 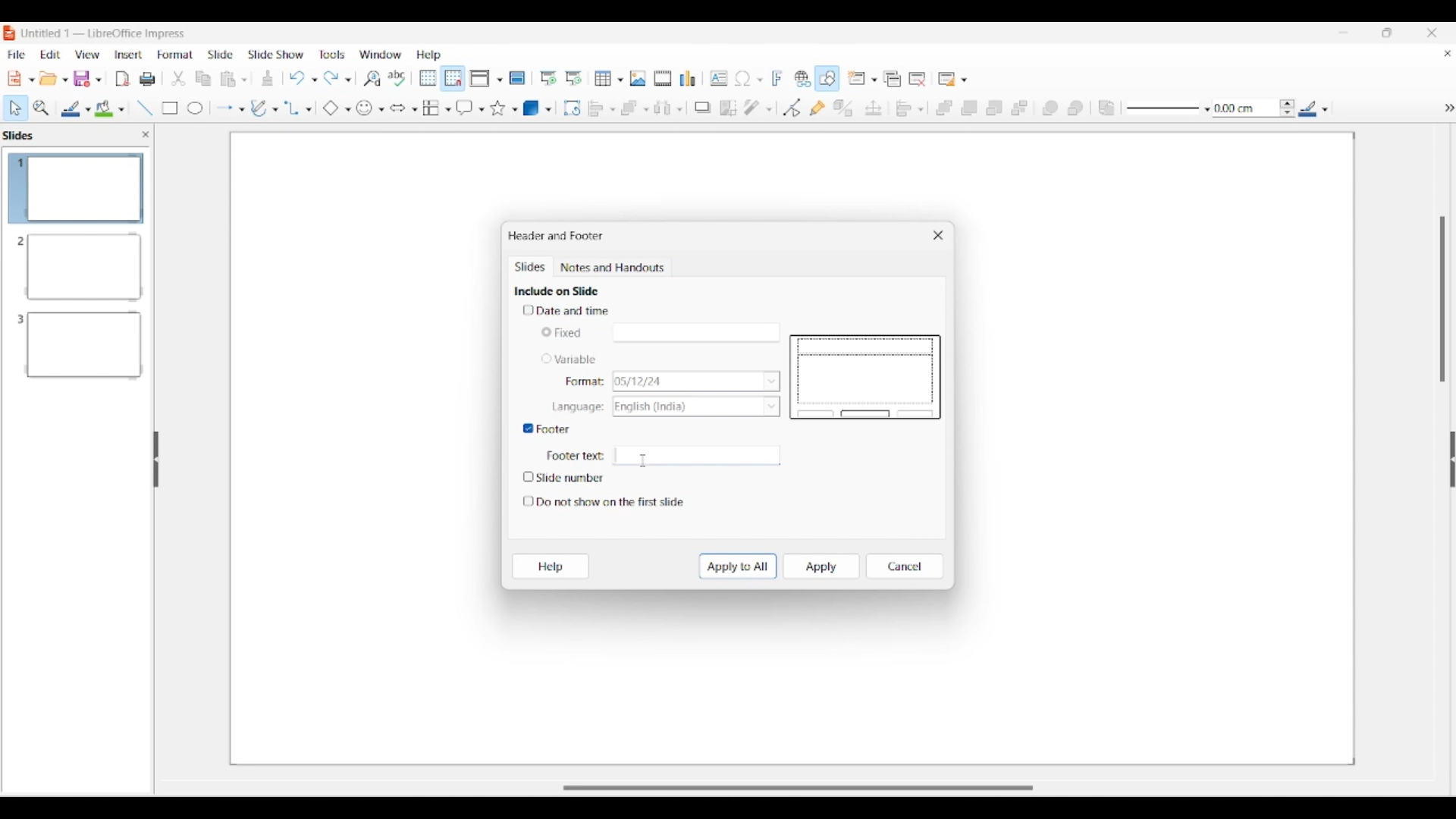 I want to click on Symbol shape options, so click(x=371, y=108).